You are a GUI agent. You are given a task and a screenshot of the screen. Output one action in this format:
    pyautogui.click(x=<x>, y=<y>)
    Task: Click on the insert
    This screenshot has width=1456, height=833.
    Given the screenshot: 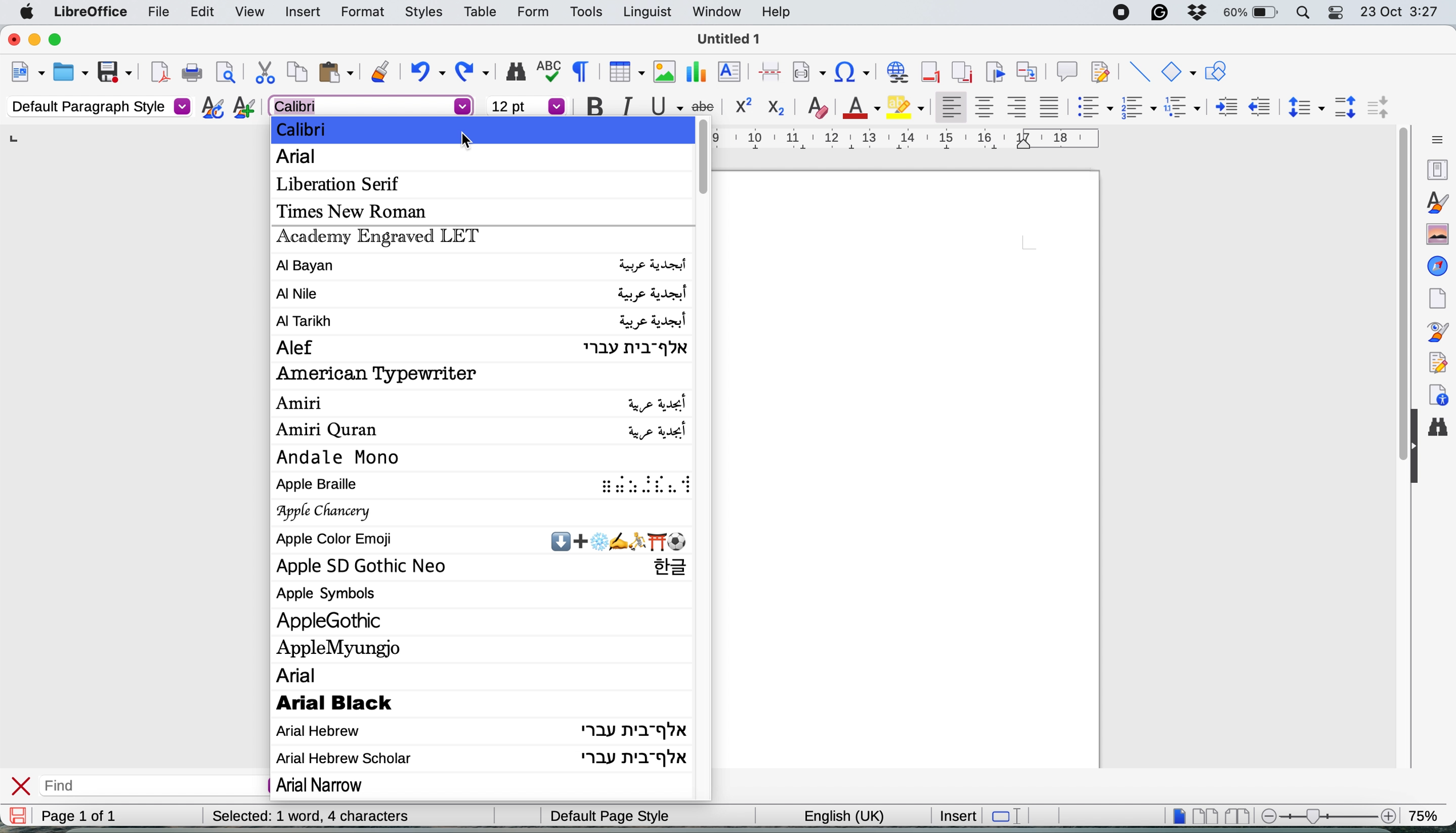 What is the action you would take?
    pyautogui.click(x=299, y=10)
    